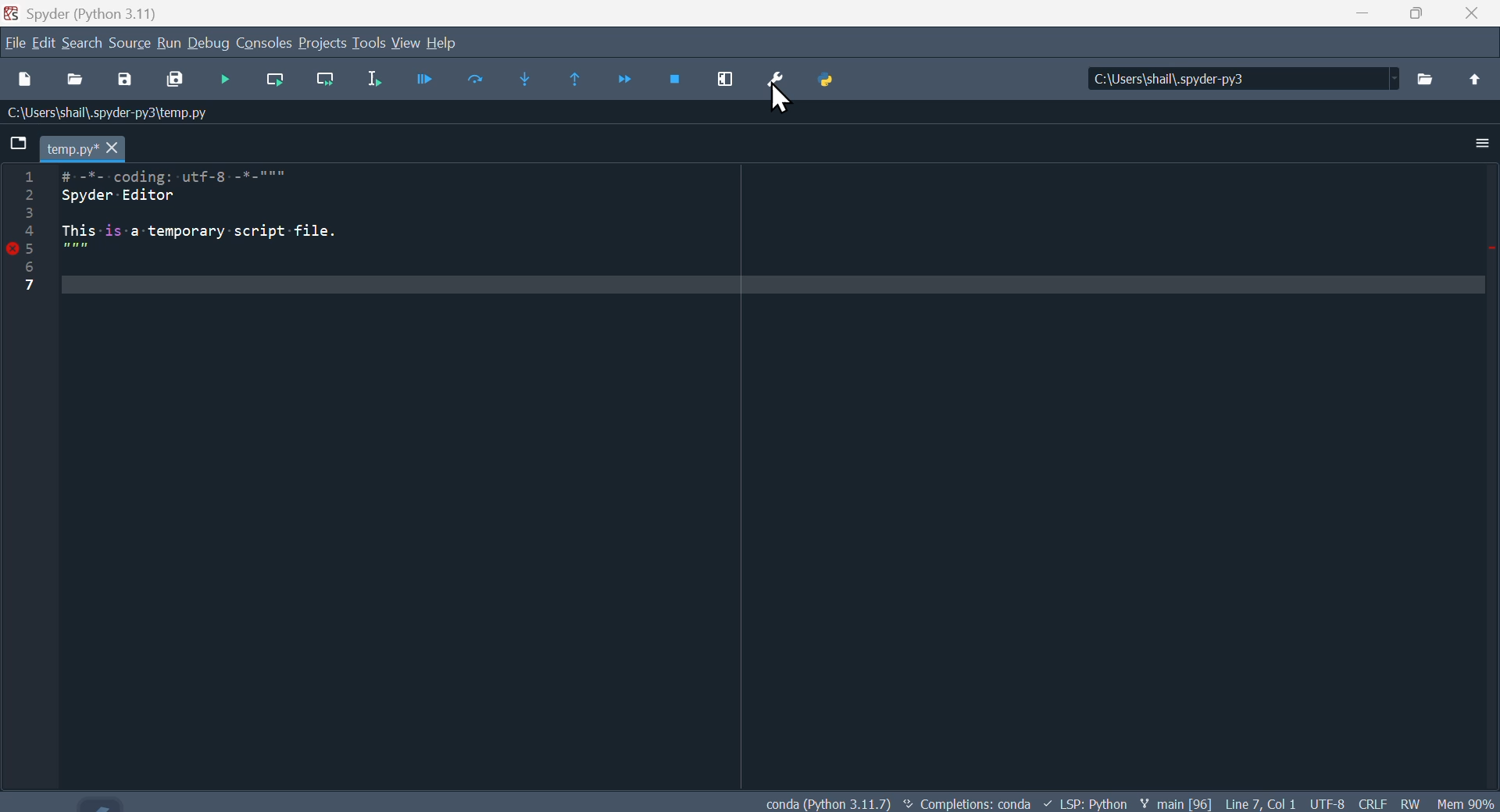 This screenshot has height=812, width=1500. I want to click on folder, so click(17, 146).